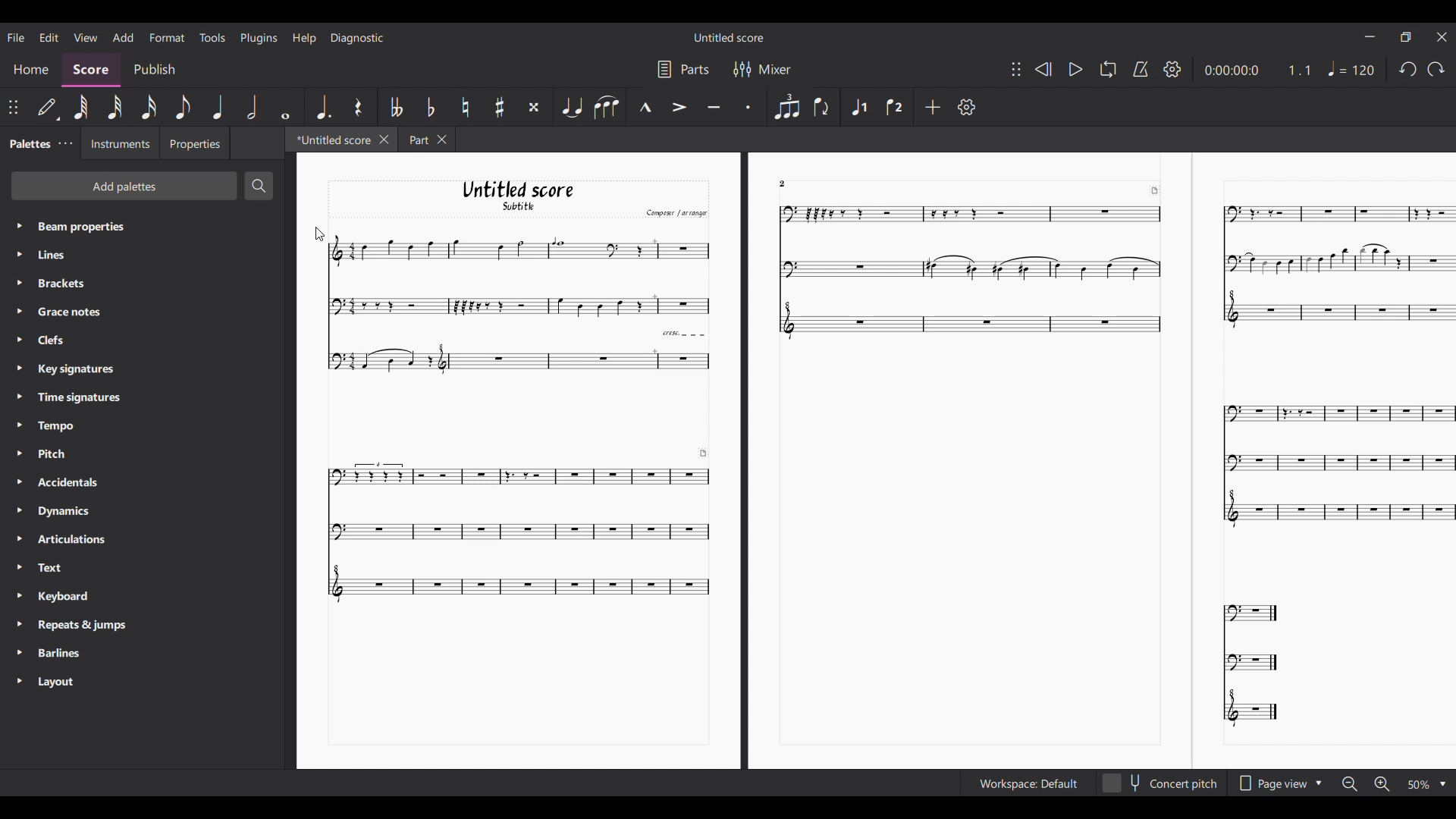 Image resolution: width=1456 pixels, height=819 pixels. Describe the element at coordinates (65, 144) in the screenshot. I see `Palette settings` at that location.